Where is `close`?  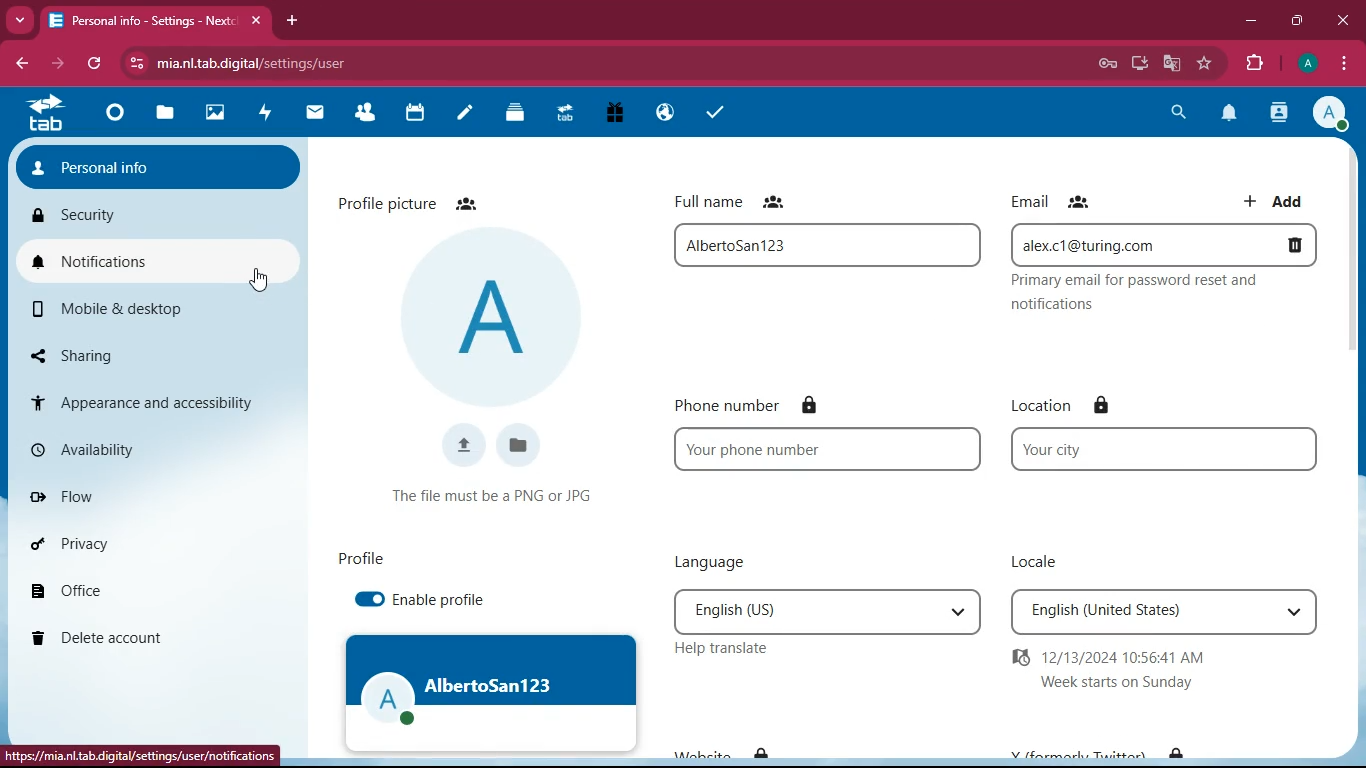 close is located at coordinates (1342, 20).